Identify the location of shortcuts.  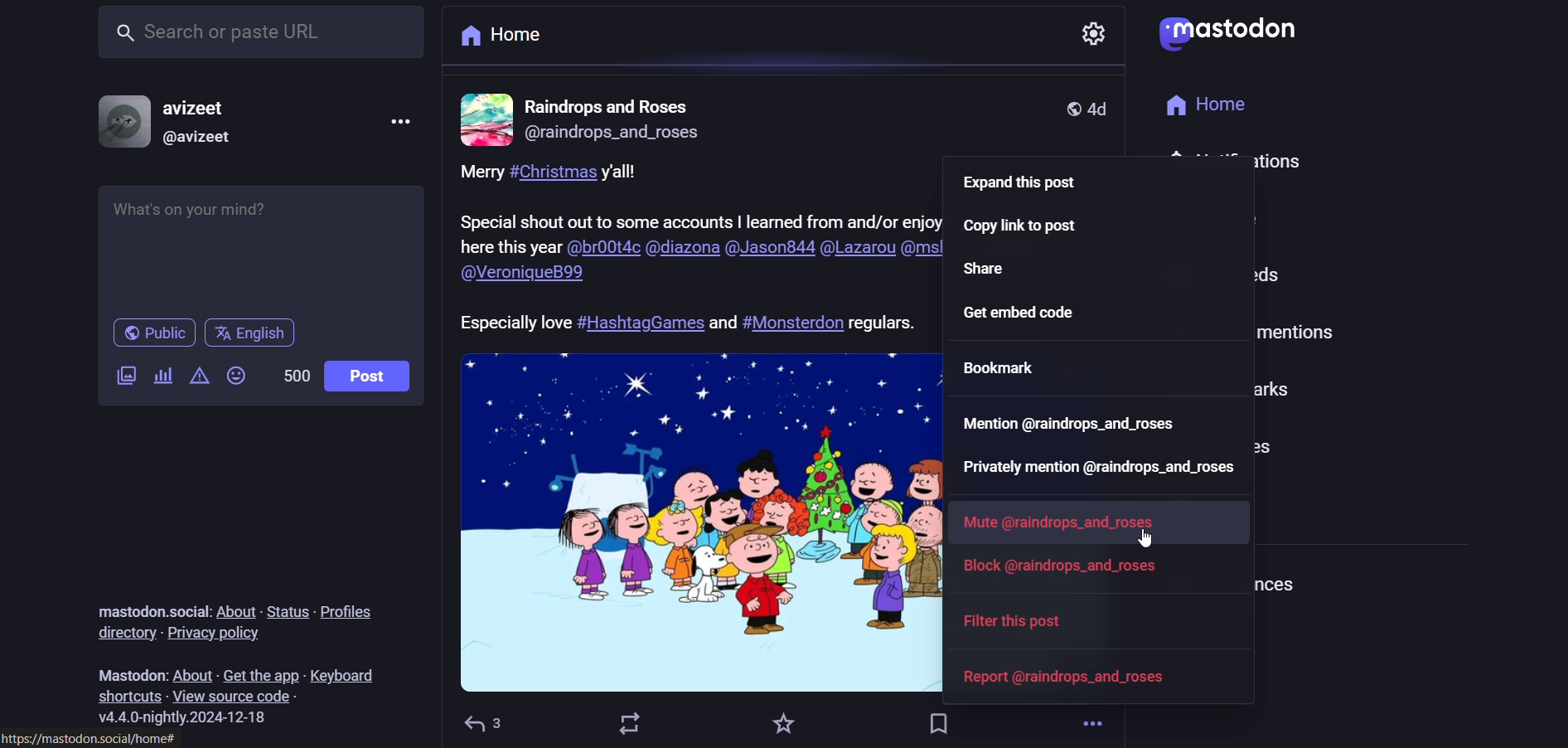
(123, 695).